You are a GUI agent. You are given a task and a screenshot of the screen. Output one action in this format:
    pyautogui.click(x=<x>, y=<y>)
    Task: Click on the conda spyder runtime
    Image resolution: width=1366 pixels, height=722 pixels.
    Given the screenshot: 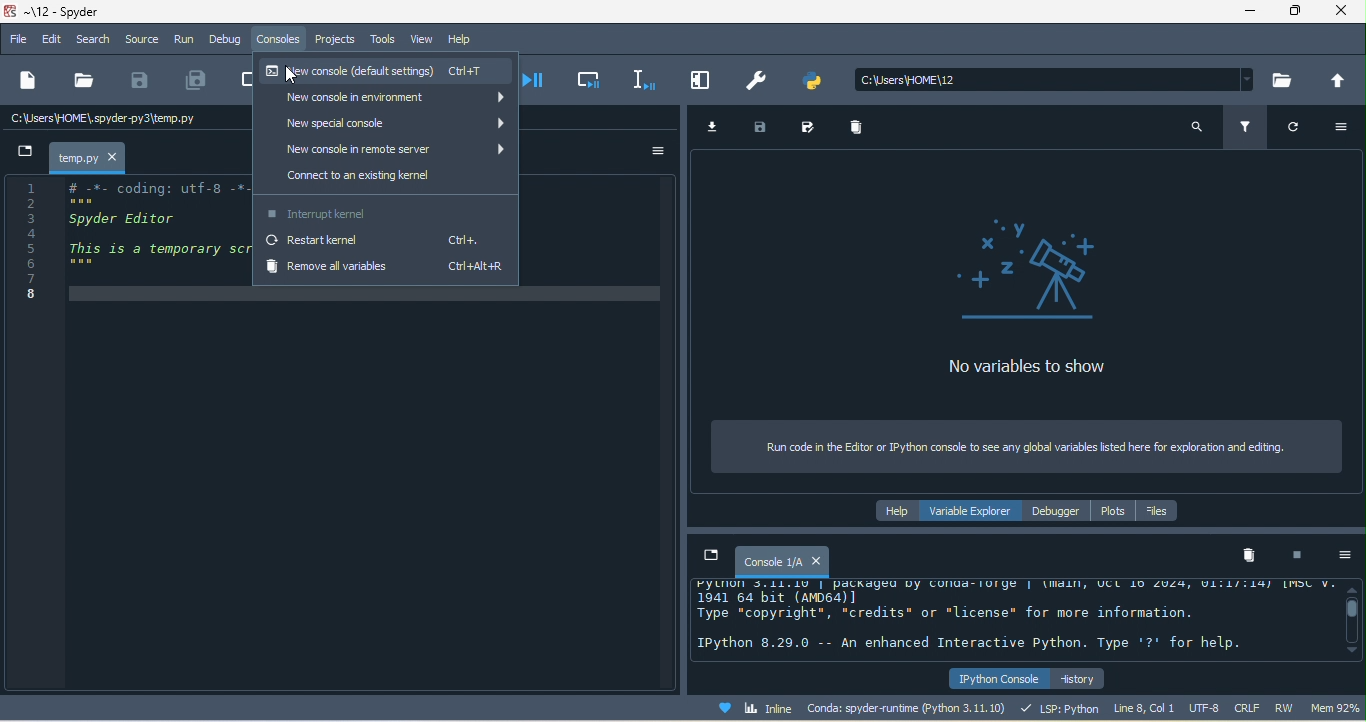 What is the action you would take?
    pyautogui.click(x=910, y=707)
    